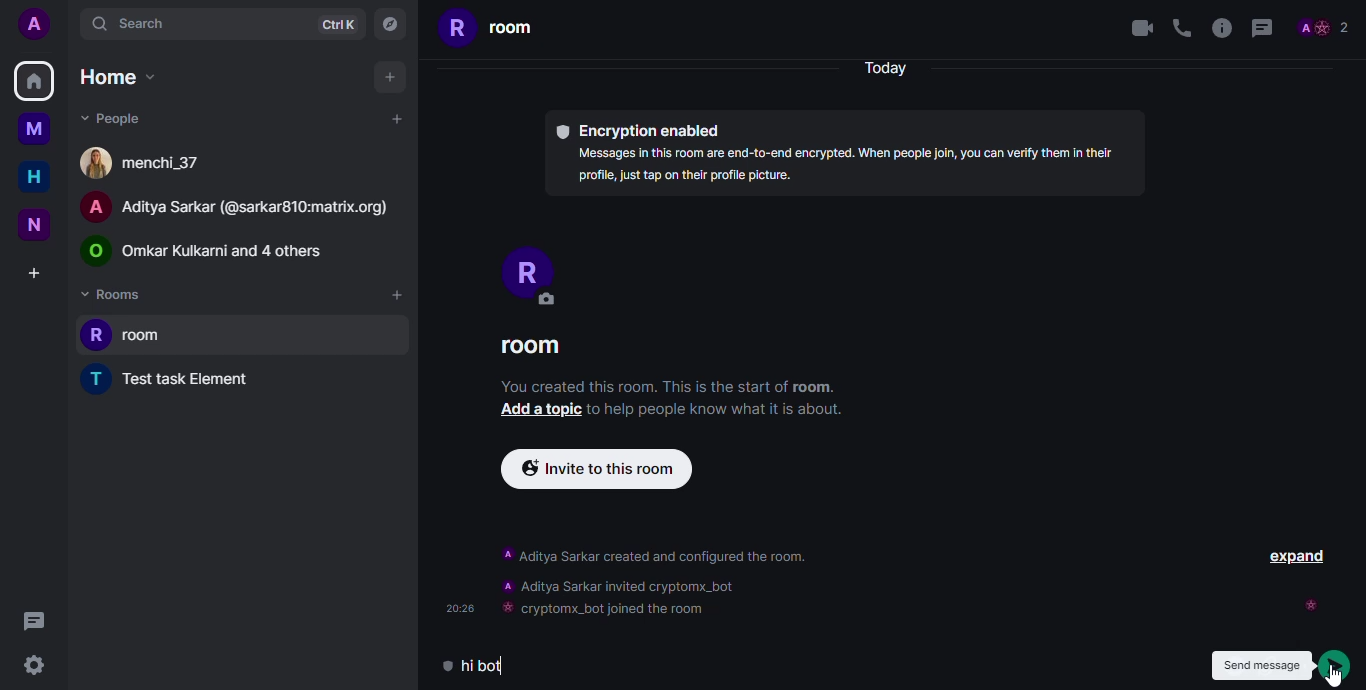 The width and height of the screenshot is (1366, 690). I want to click on Cursor, so click(1332, 675).